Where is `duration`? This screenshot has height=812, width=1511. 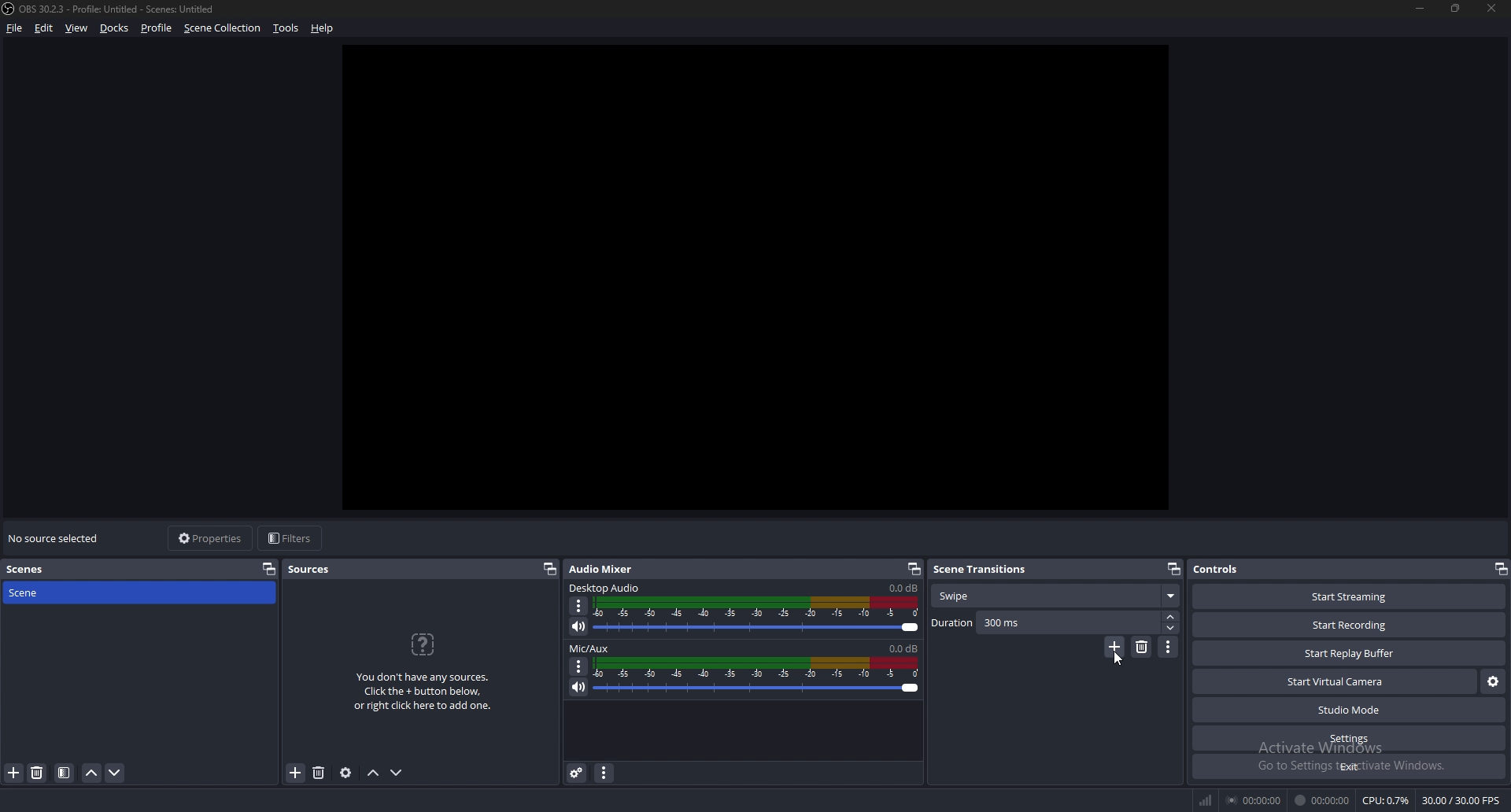
duration is located at coordinates (1045, 622).